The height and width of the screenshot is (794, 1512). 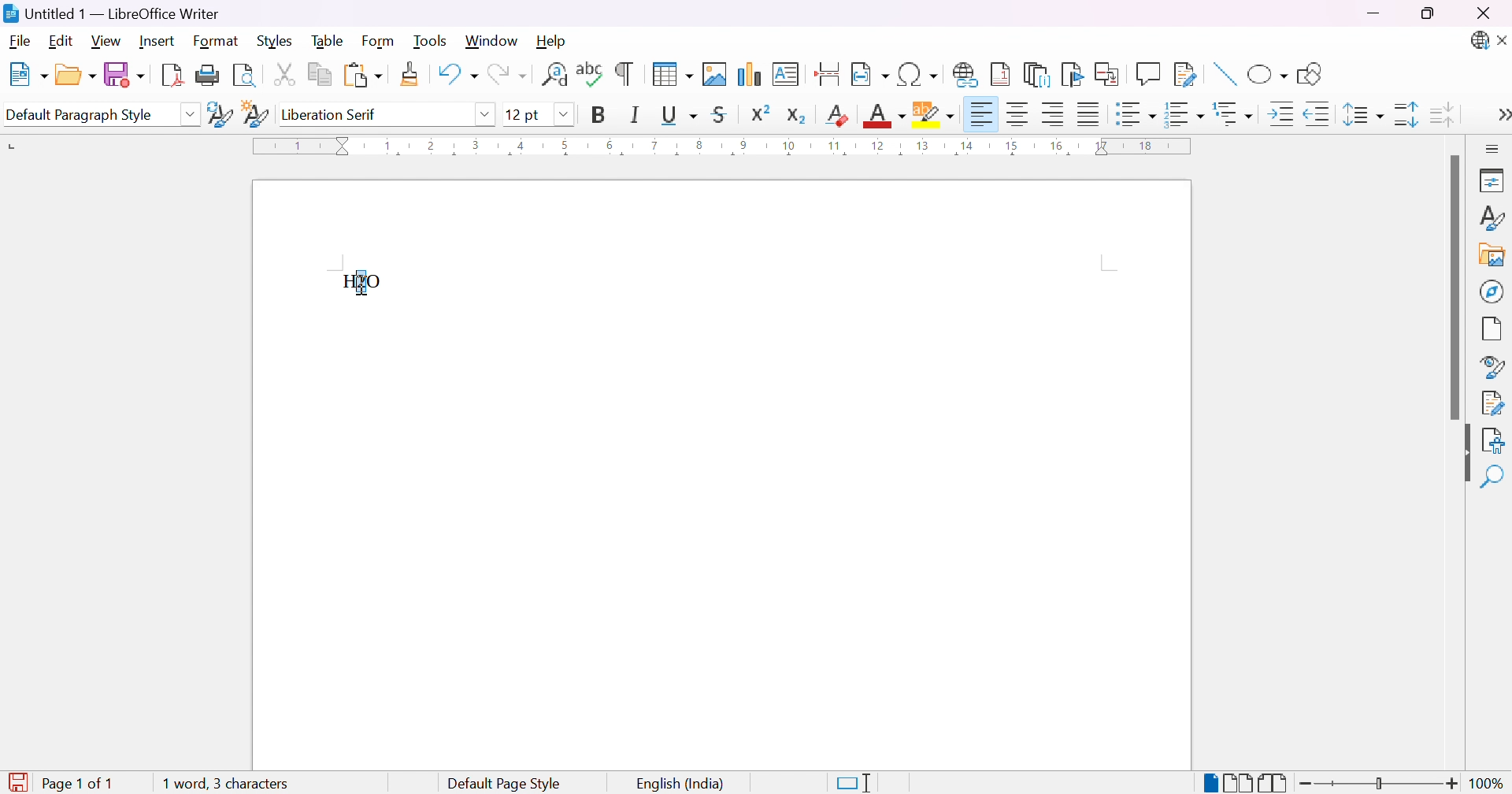 I want to click on More, so click(x=1499, y=117).